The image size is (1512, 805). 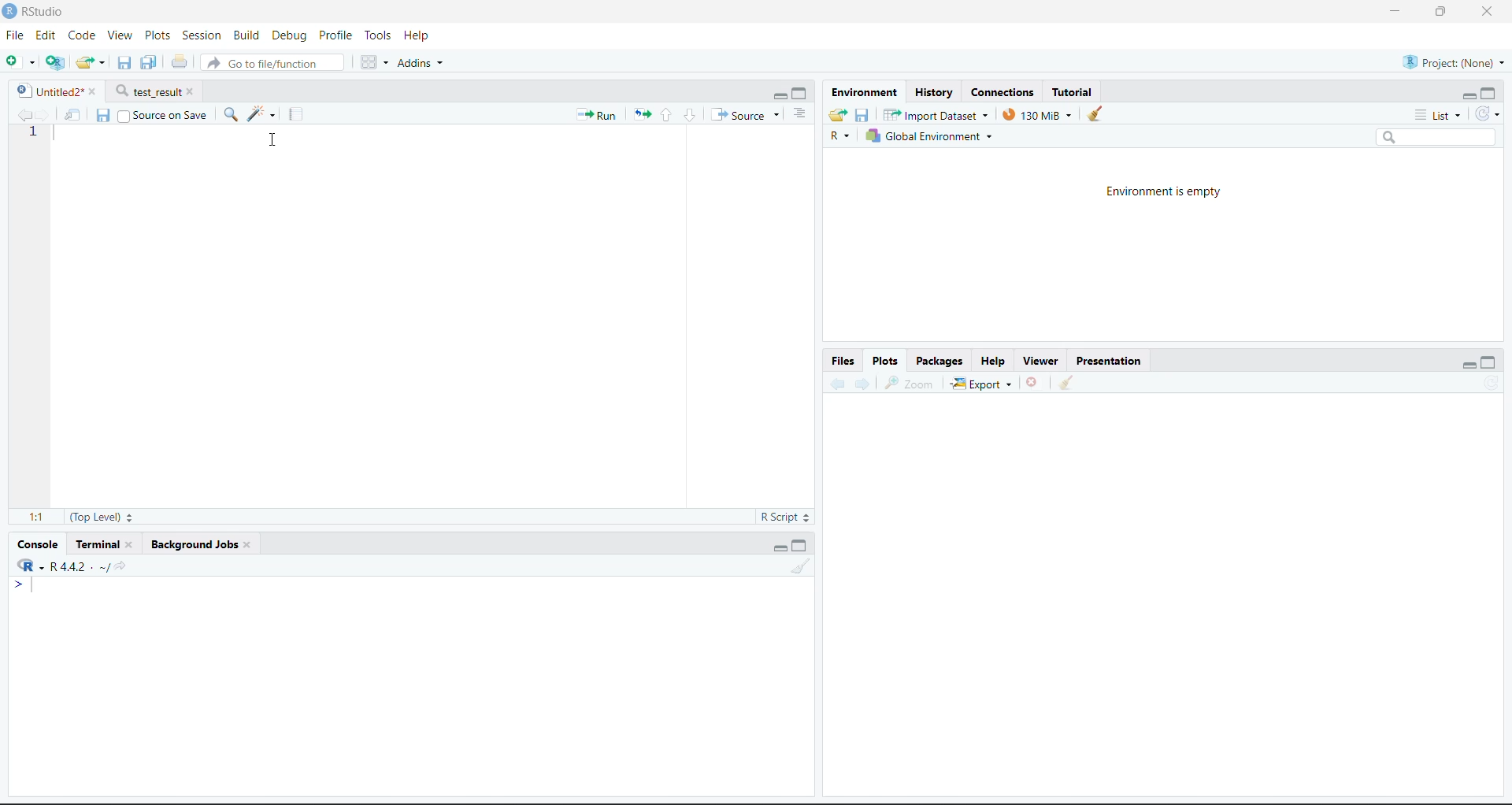 What do you see at coordinates (338, 34) in the screenshot?
I see `Profile` at bounding box center [338, 34].